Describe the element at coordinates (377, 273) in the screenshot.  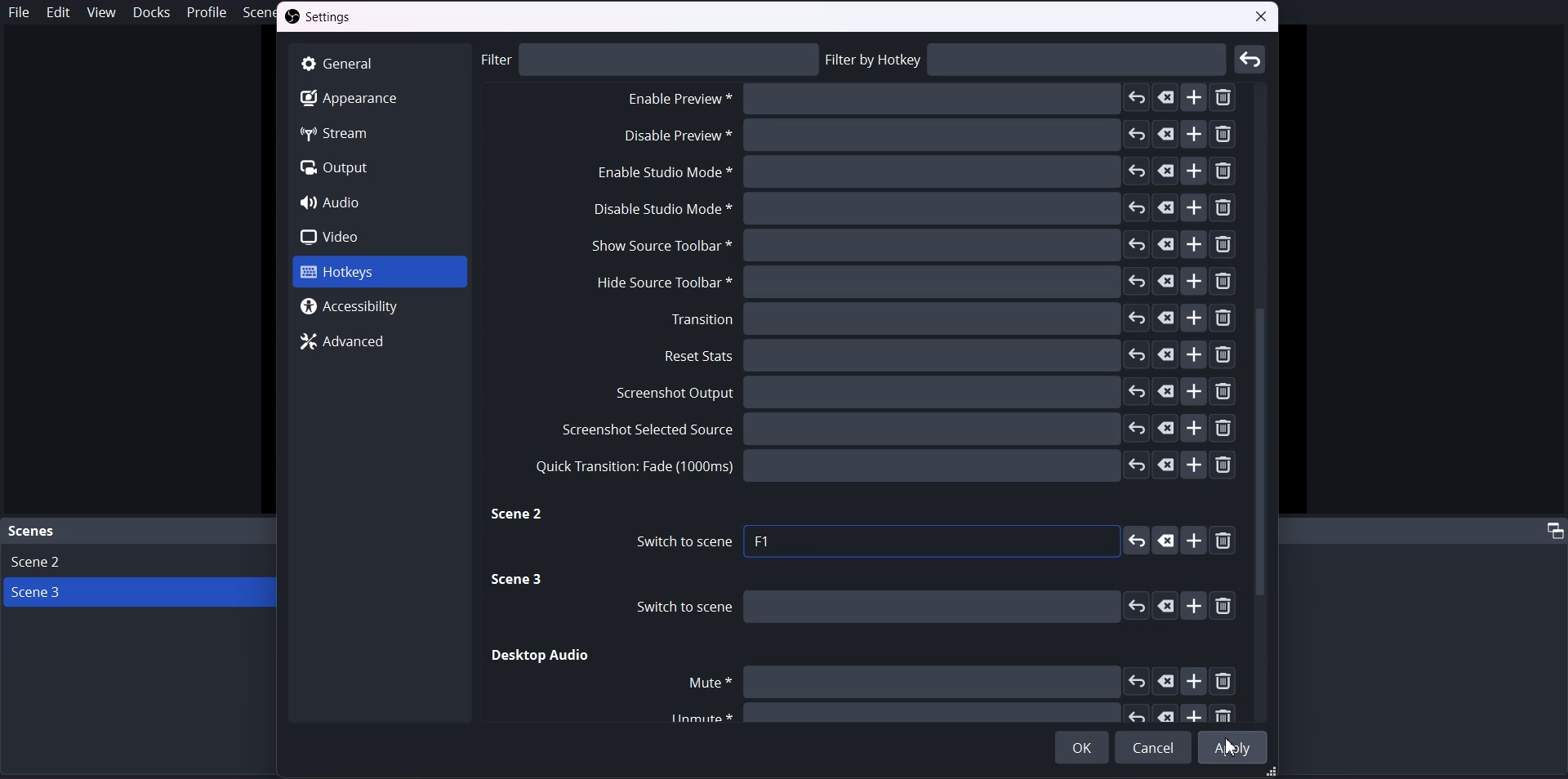
I see `Hotkeys` at that location.